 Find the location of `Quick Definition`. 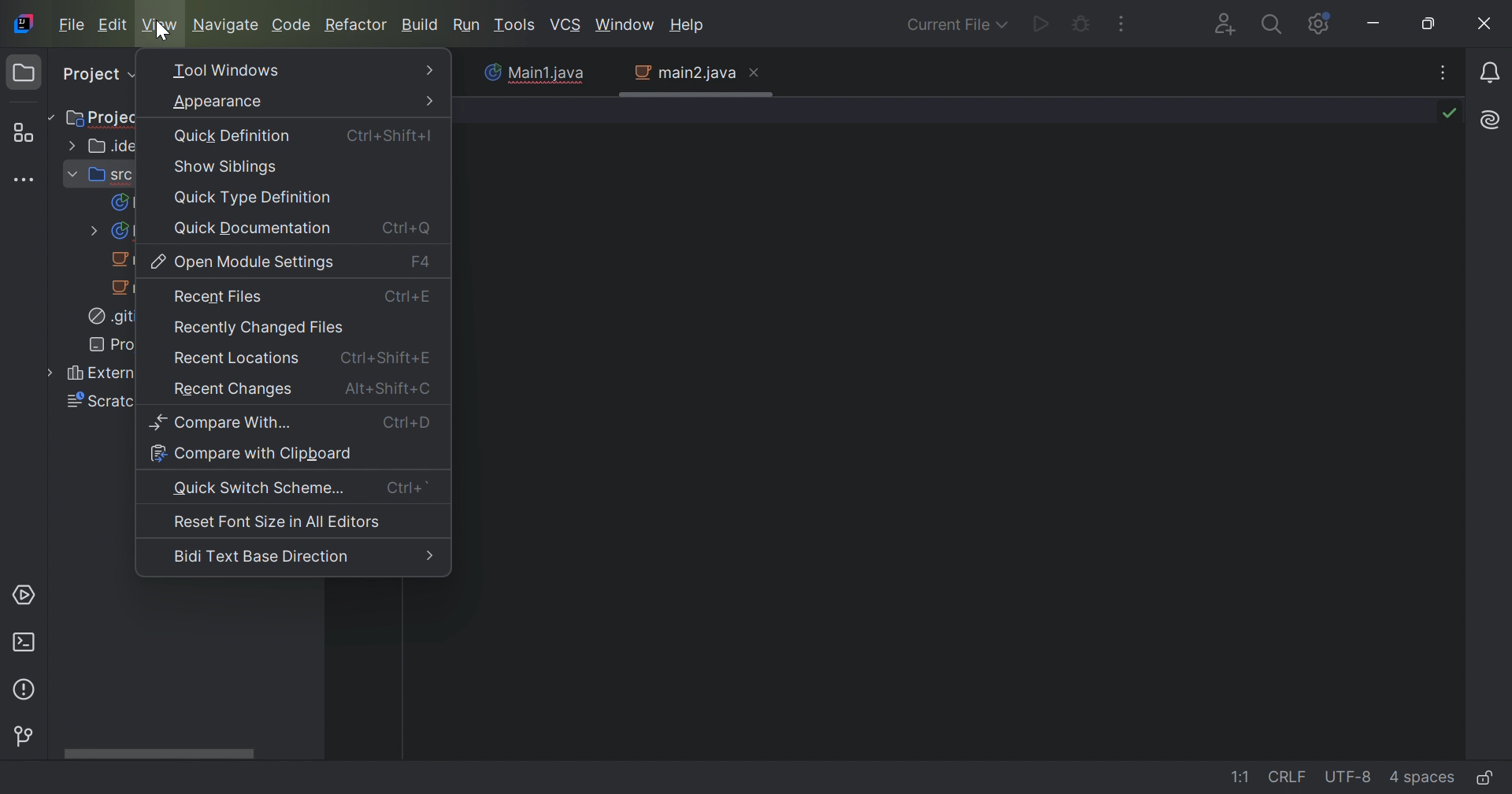

Quick Definition is located at coordinates (232, 135).